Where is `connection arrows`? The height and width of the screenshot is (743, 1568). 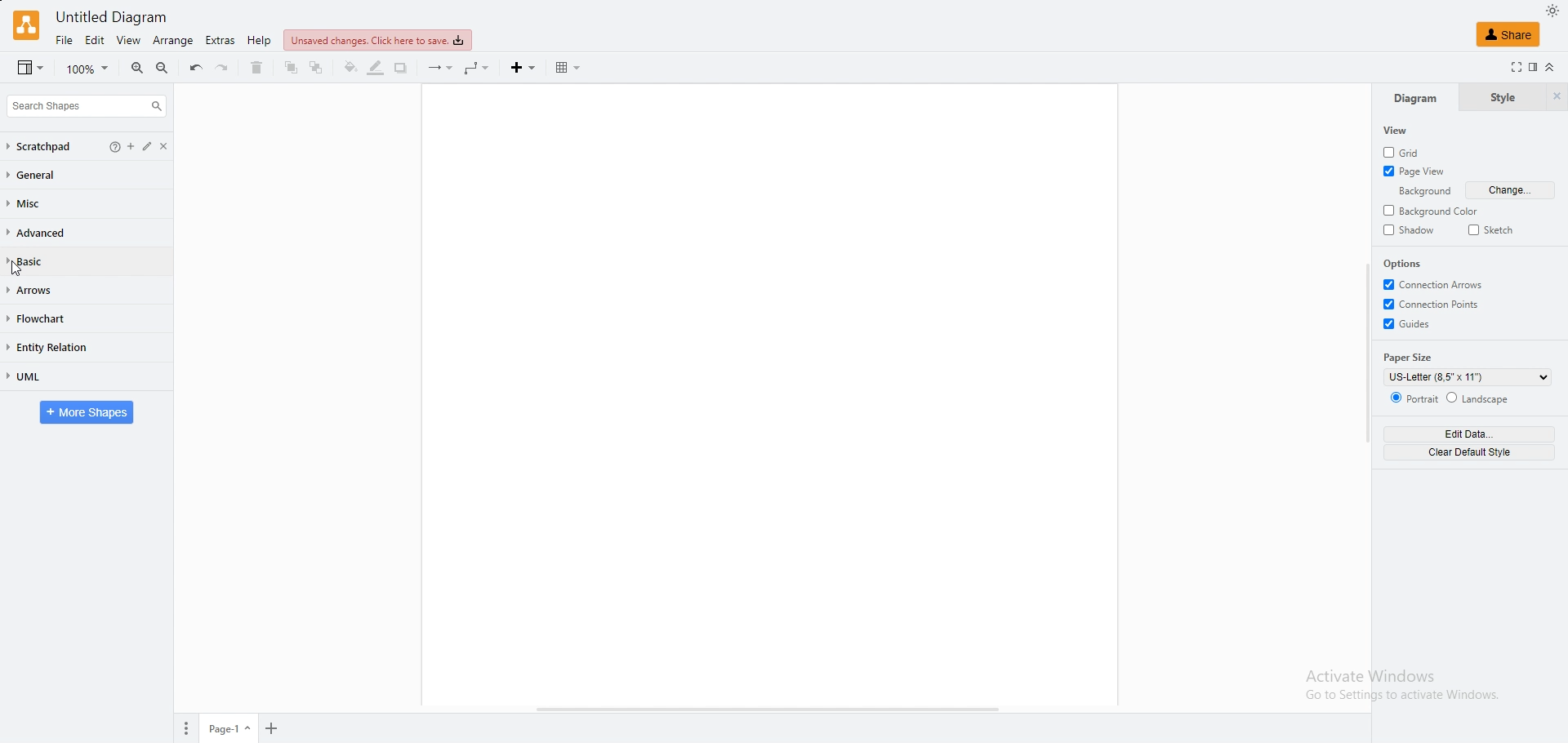 connection arrows is located at coordinates (1434, 283).